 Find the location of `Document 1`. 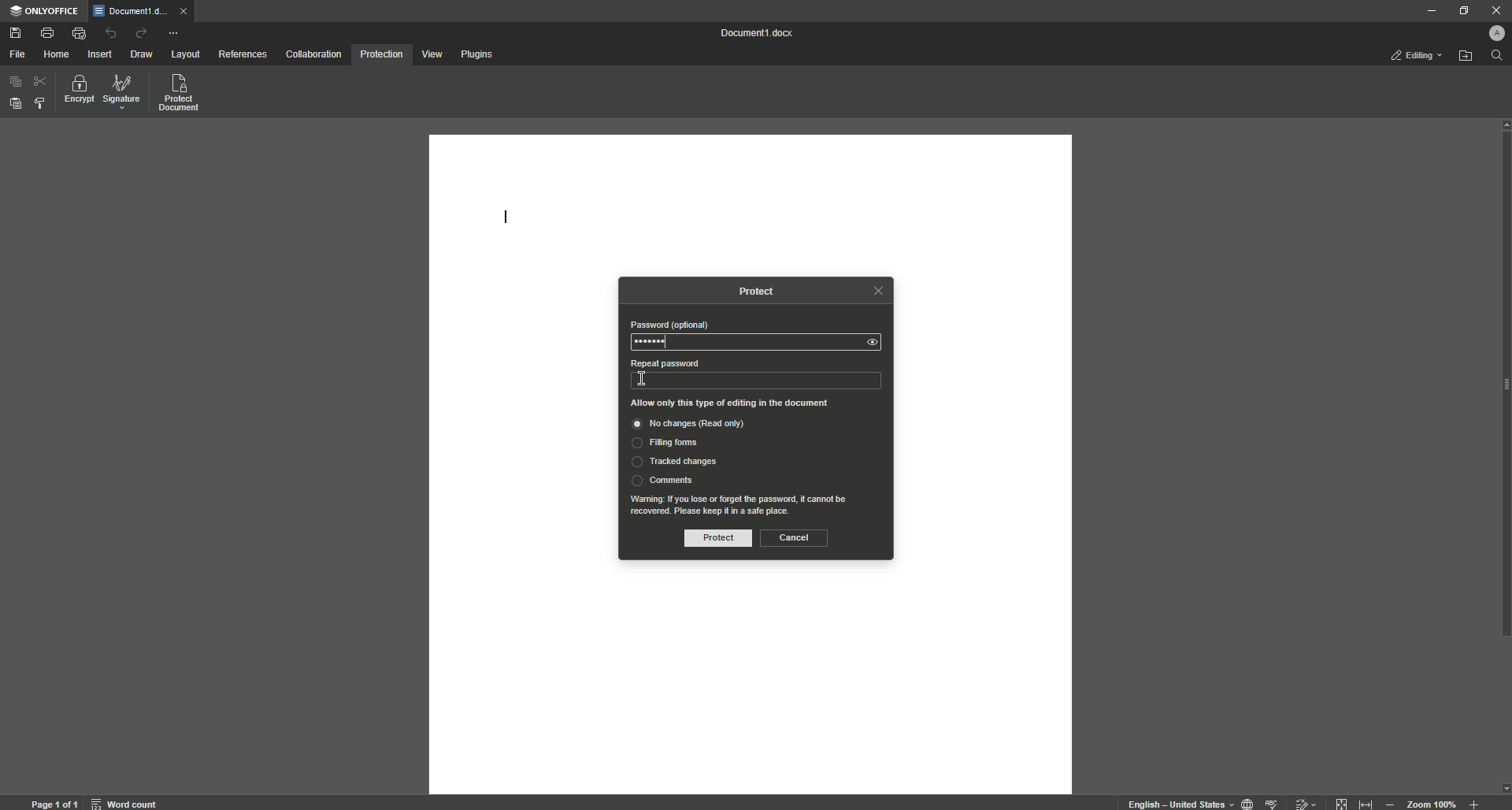

Document 1 is located at coordinates (760, 33).